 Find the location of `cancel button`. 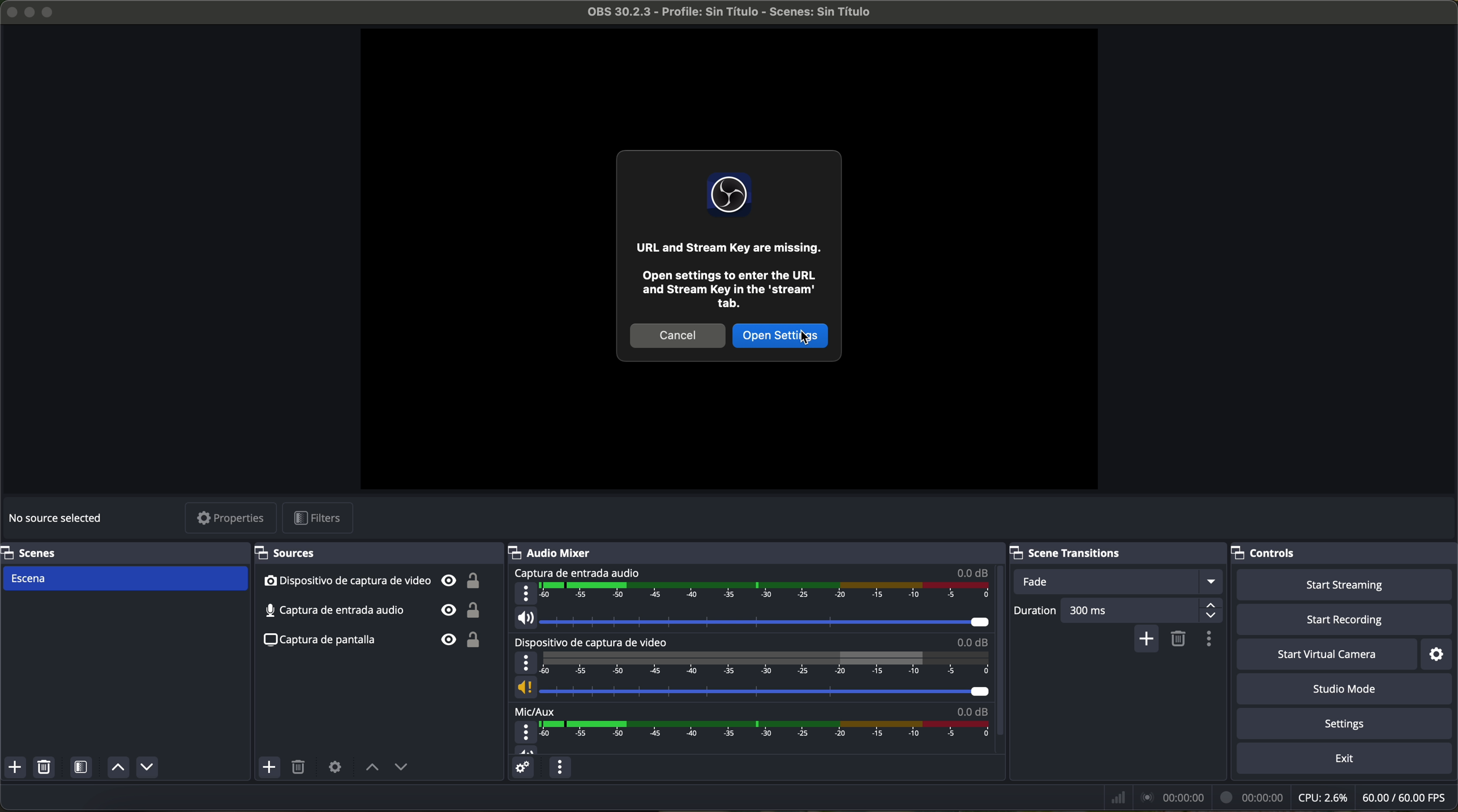

cancel button is located at coordinates (678, 335).